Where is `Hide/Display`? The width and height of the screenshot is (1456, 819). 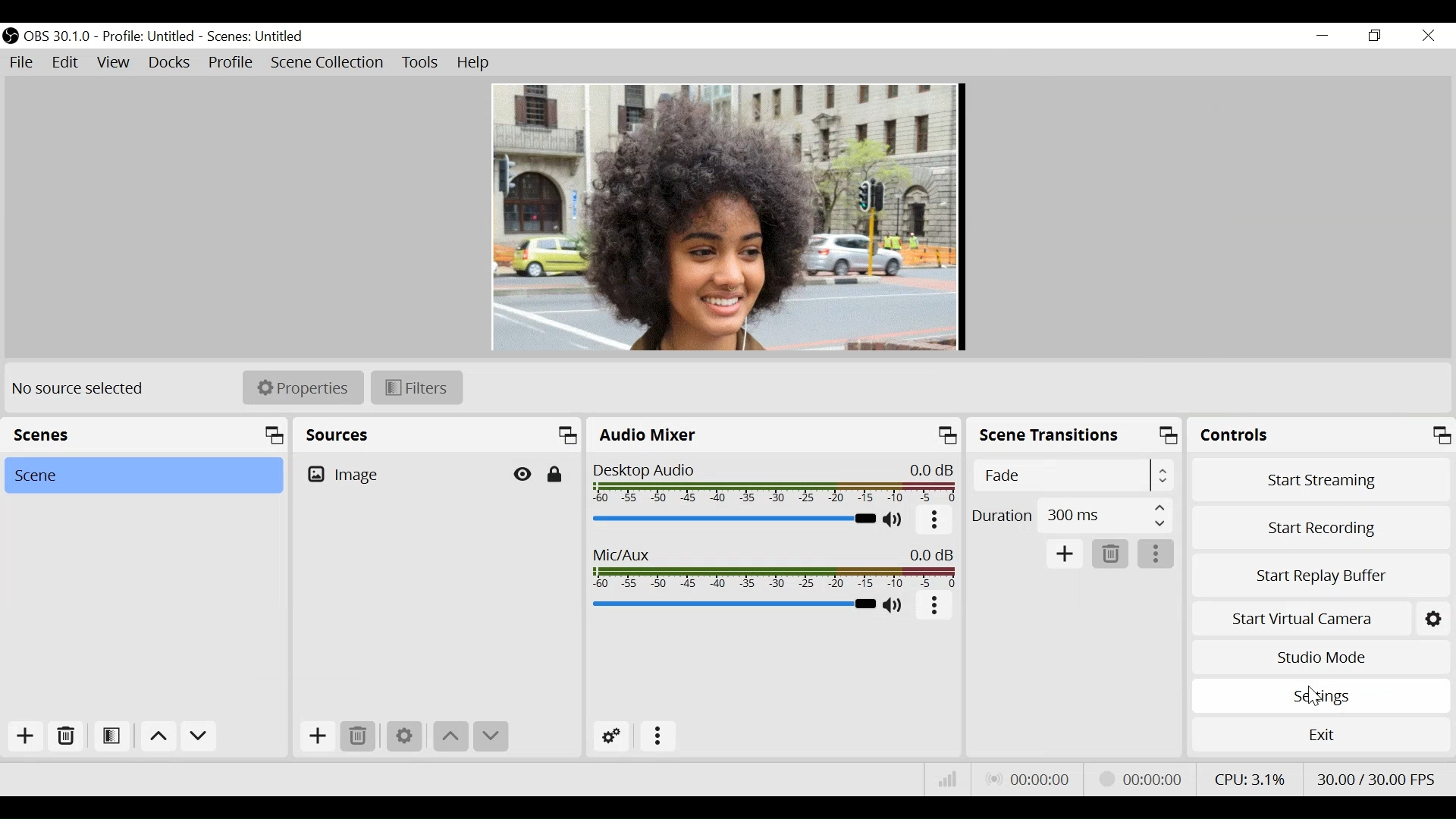
Hide/Display is located at coordinates (525, 474).